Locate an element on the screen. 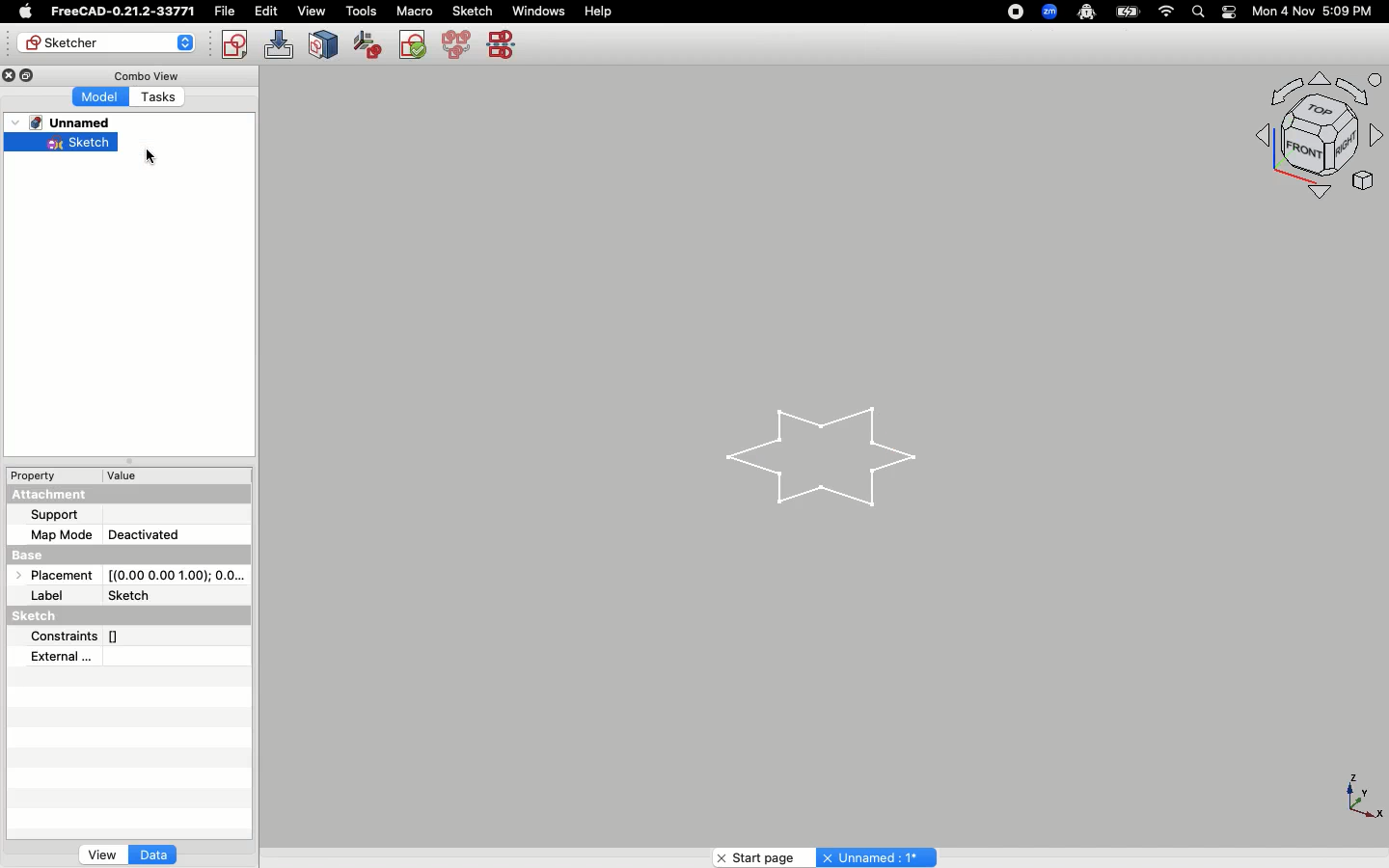  Robot is located at coordinates (1086, 14).